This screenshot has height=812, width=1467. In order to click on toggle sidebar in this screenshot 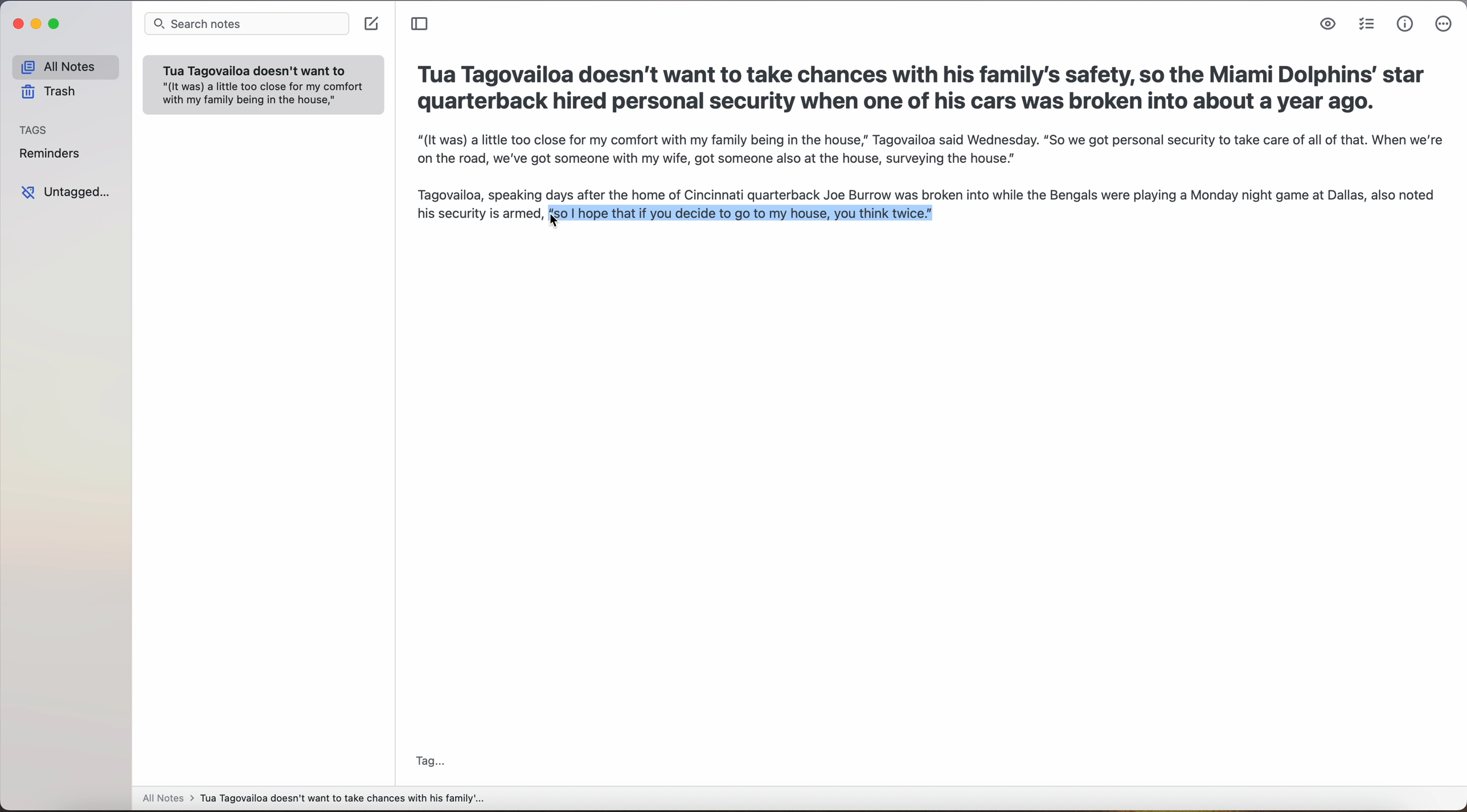, I will do `click(421, 24)`.